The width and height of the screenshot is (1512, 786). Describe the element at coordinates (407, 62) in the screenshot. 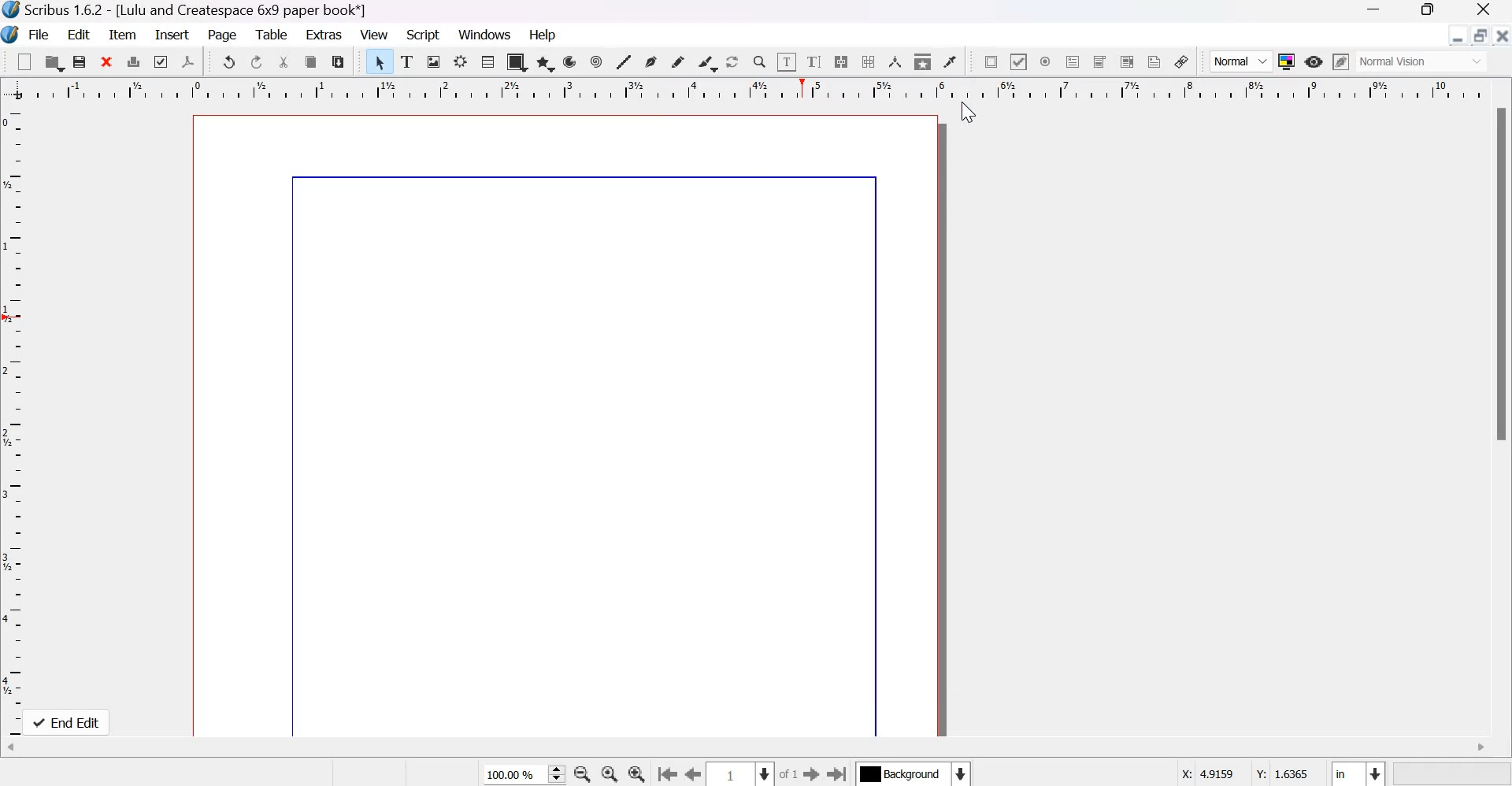

I see `text frame` at that location.